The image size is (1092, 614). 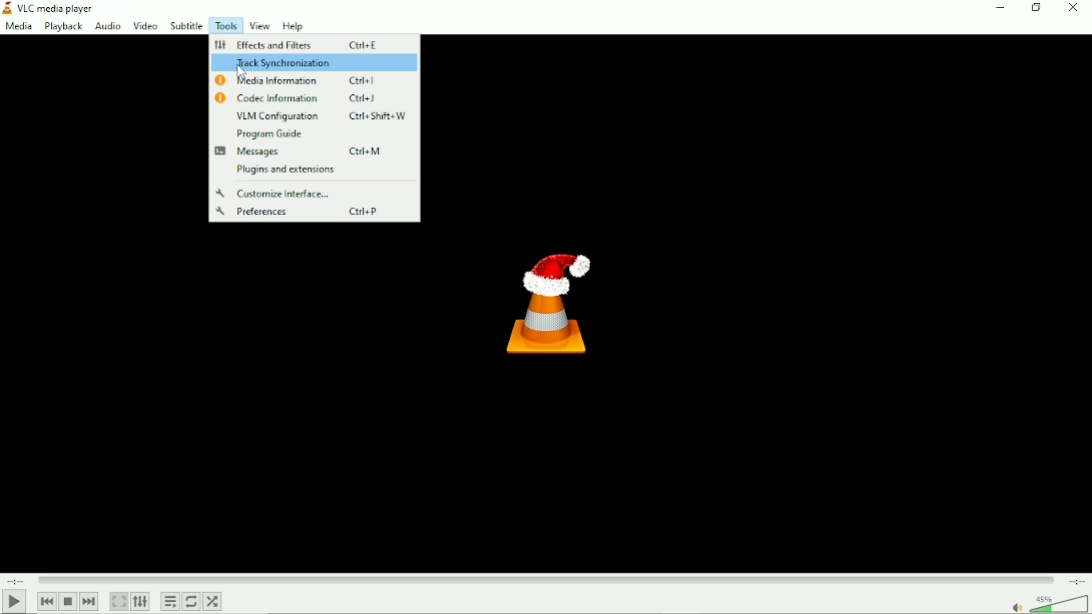 What do you see at coordinates (1000, 7) in the screenshot?
I see `Minimize` at bounding box center [1000, 7].